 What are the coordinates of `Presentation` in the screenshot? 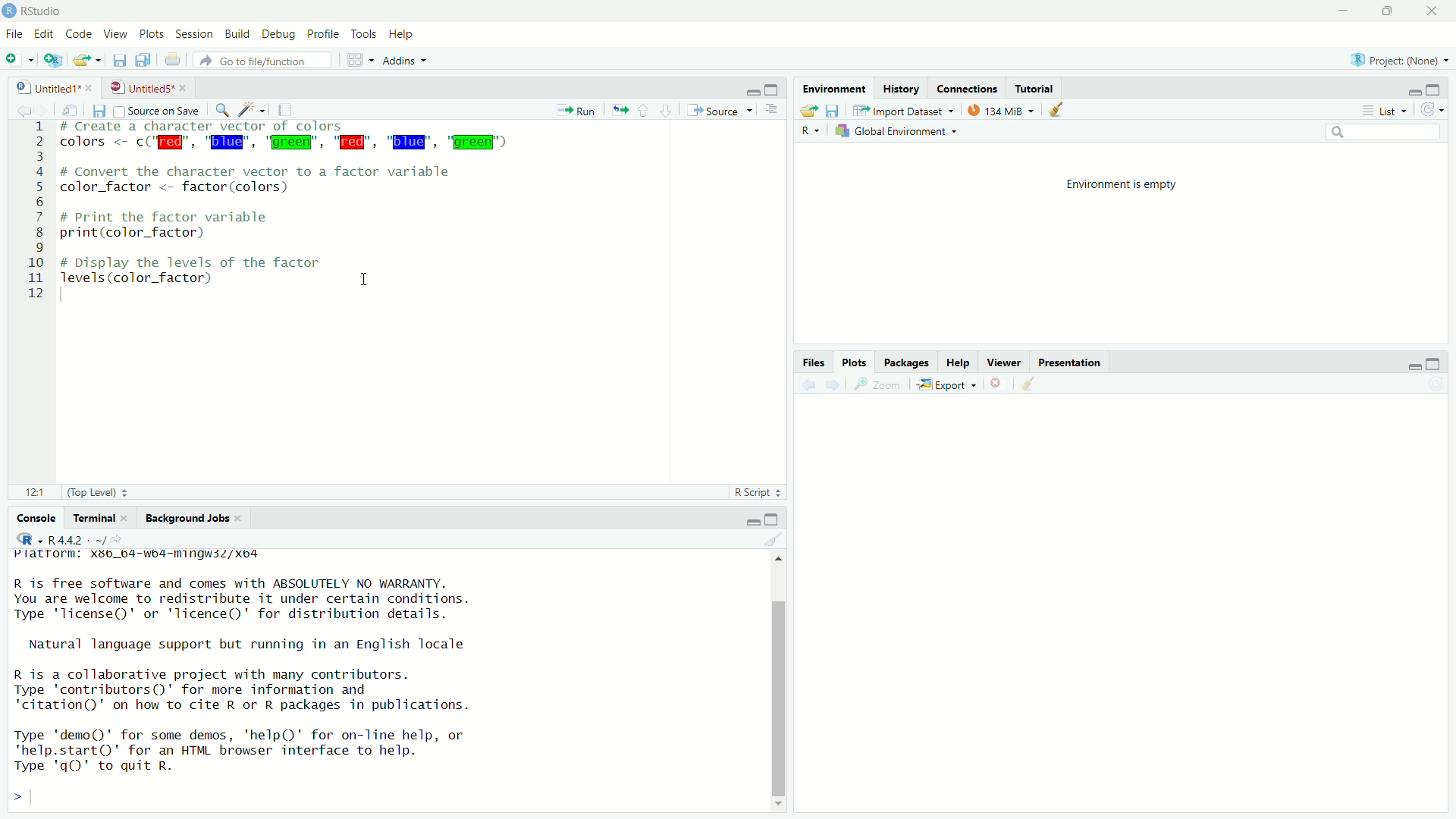 It's located at (1071, 361).